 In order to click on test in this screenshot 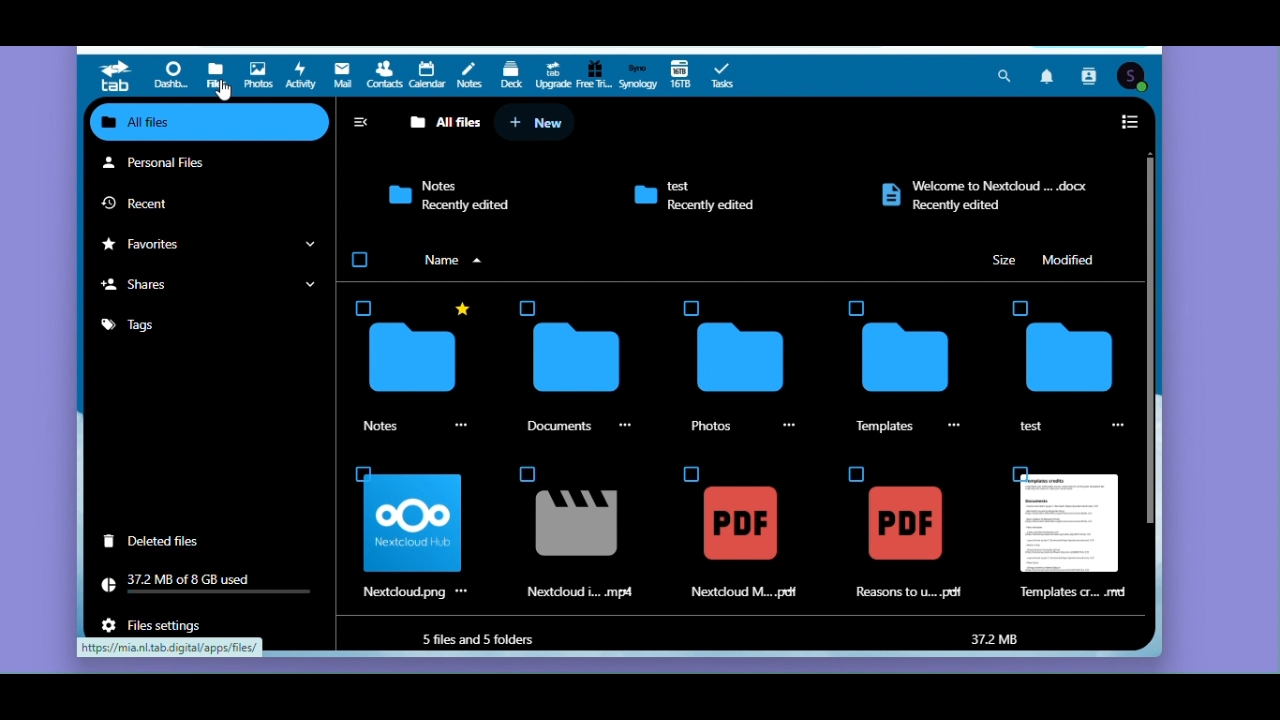, I will do `click(695, 195)`.